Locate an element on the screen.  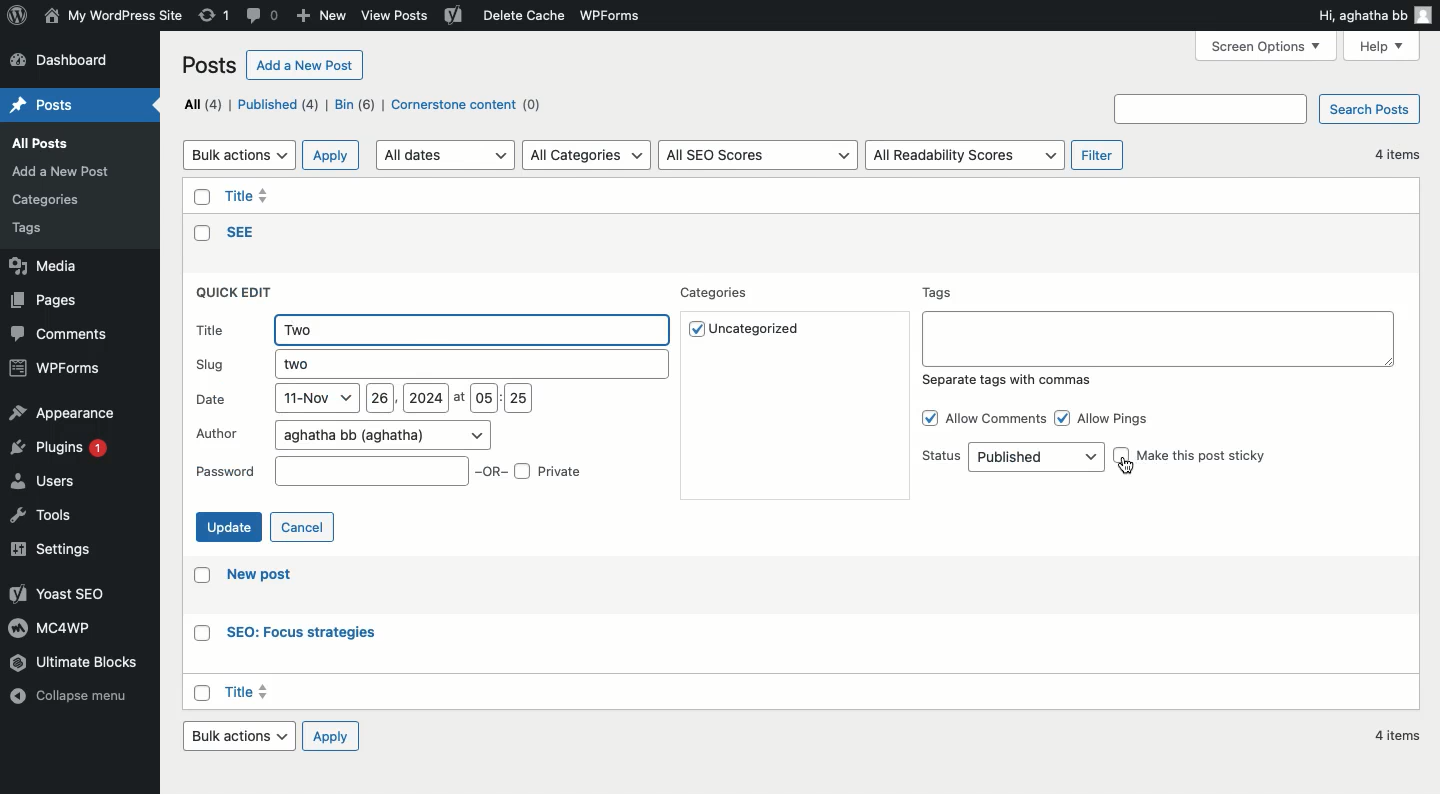
Post is located at coordinates (49, 105).